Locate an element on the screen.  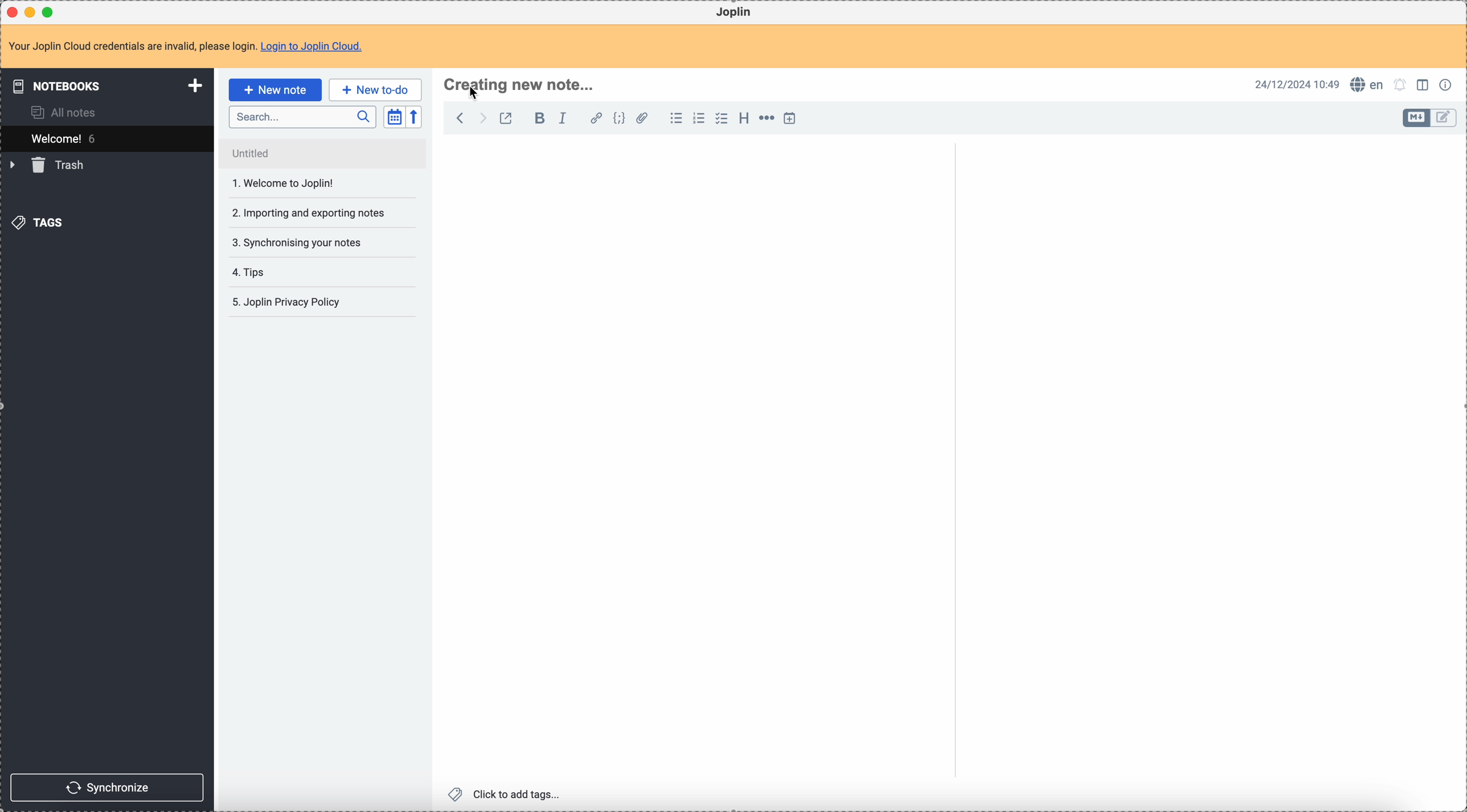
synchronising your notes is located at coordinates (306, 243).